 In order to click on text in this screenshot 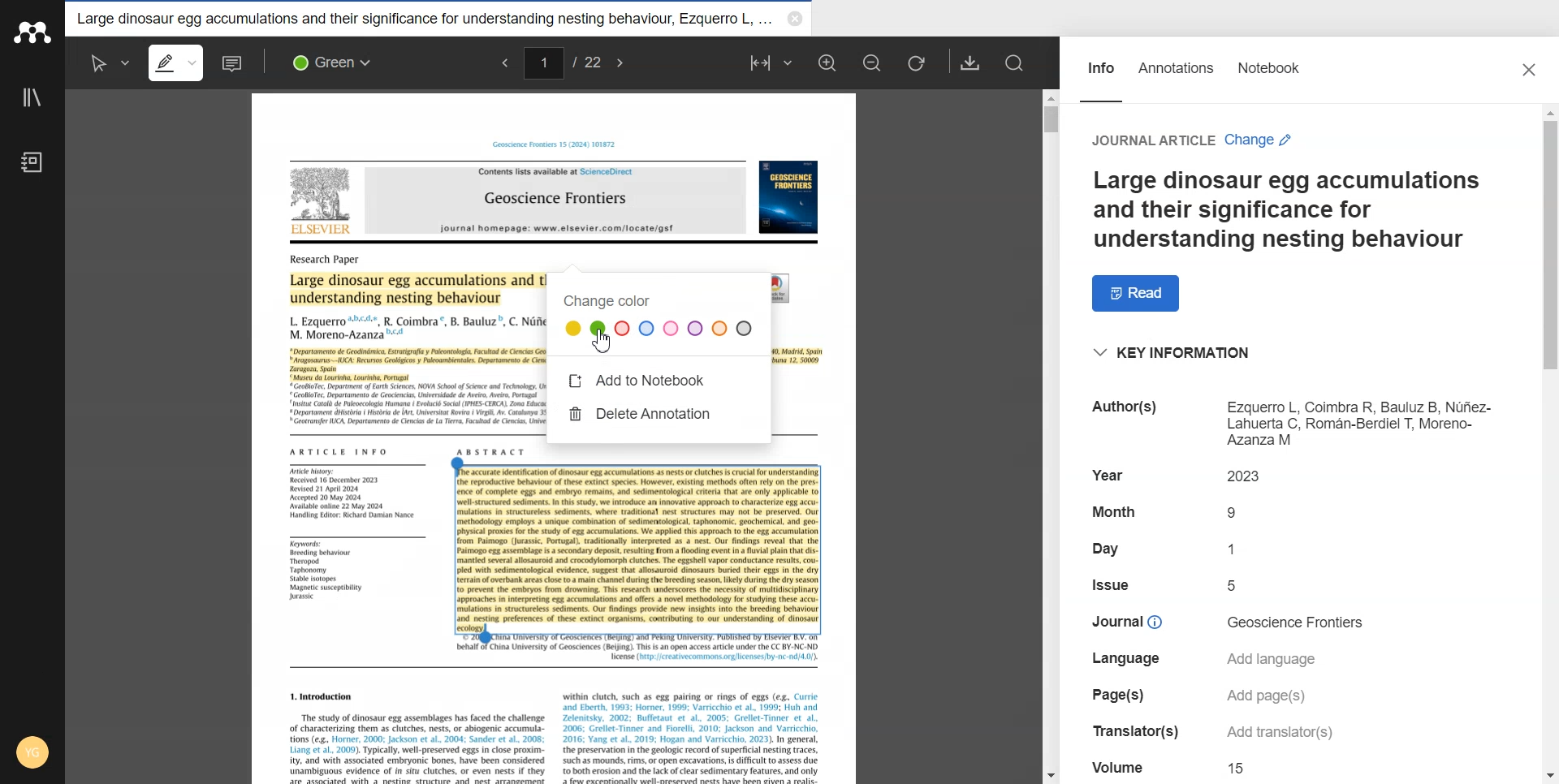, I will do `click(326, 571)`.